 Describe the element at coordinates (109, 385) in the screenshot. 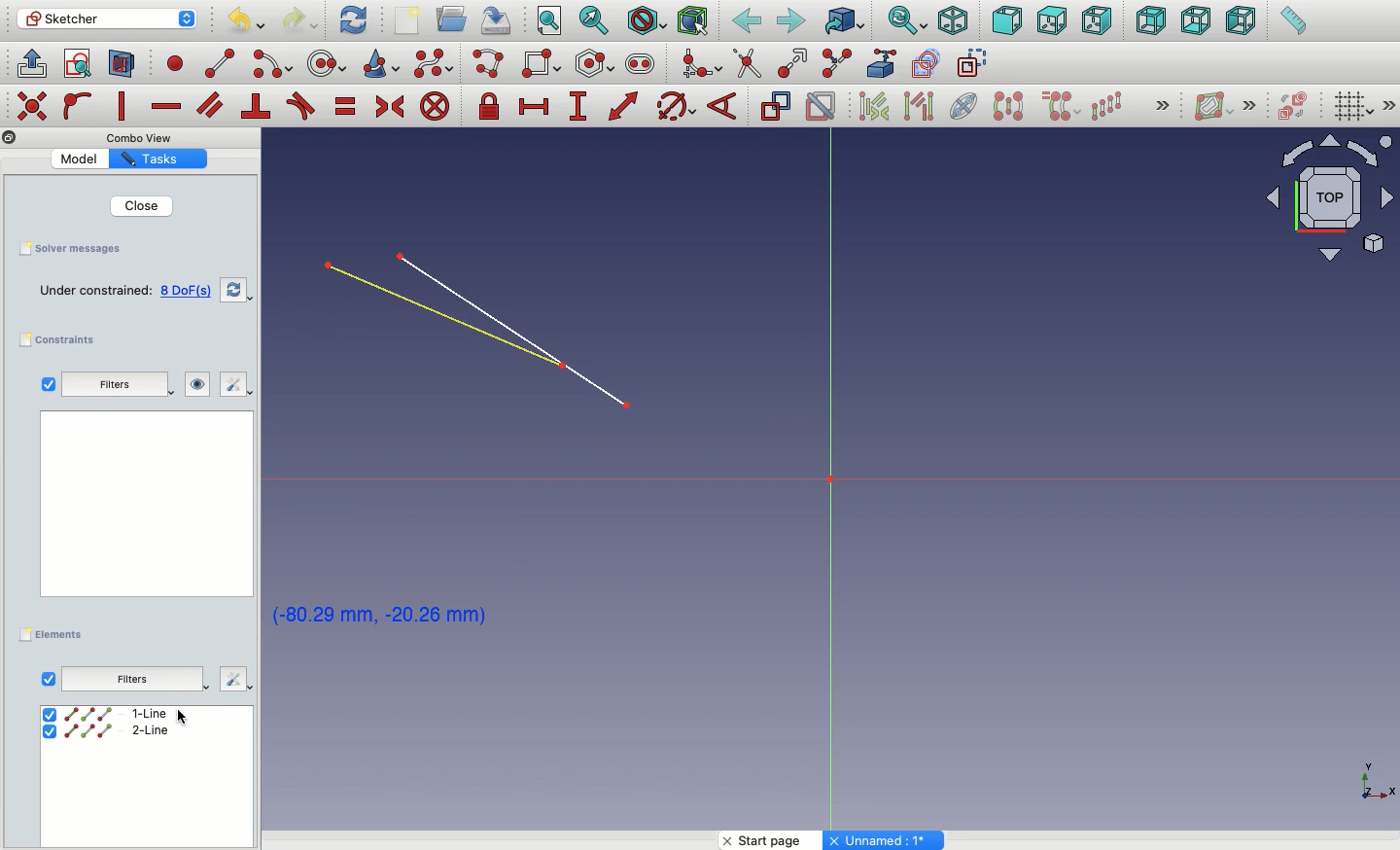

I see `Filters` at that location.